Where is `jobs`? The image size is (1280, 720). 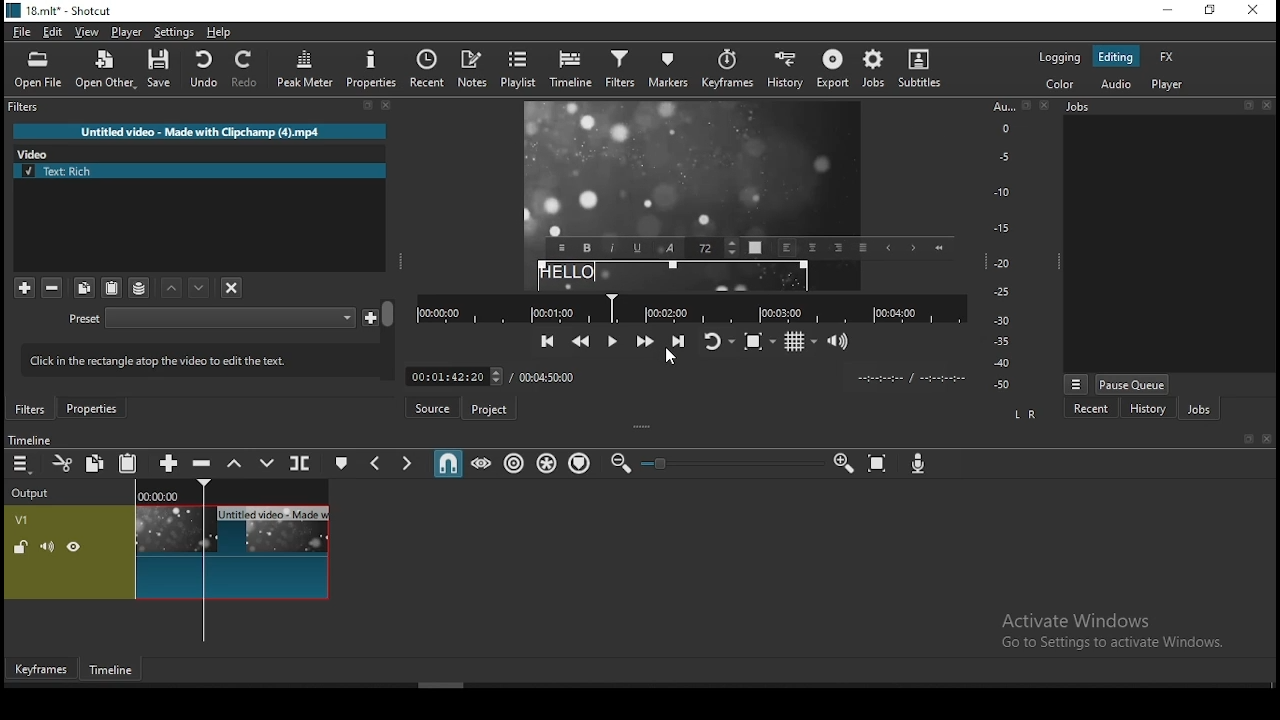 jobs is located at coordinates (1198, 408).